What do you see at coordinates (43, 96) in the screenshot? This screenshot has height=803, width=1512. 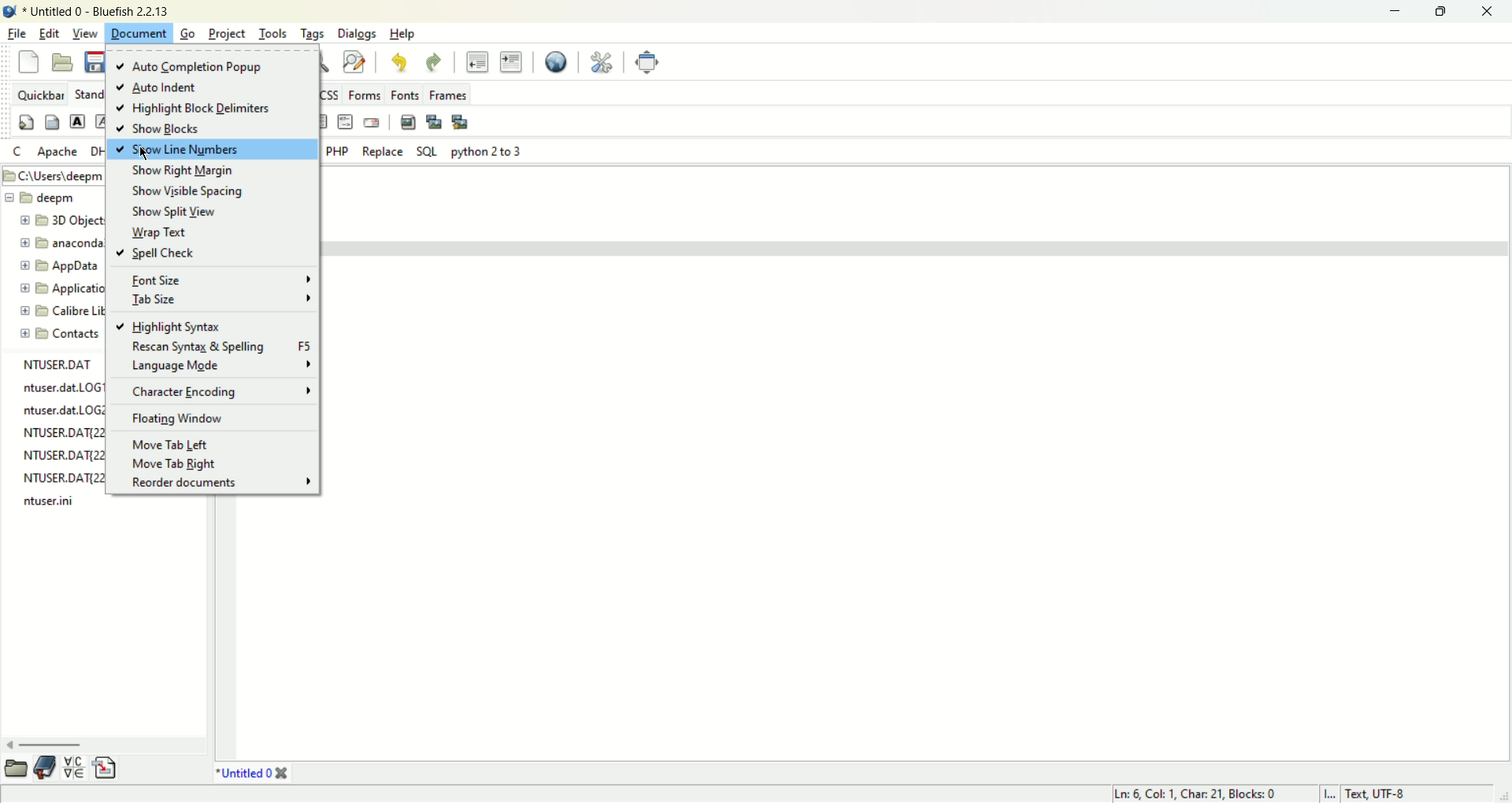 I see `quickbar` at bounding box center [43, 96].